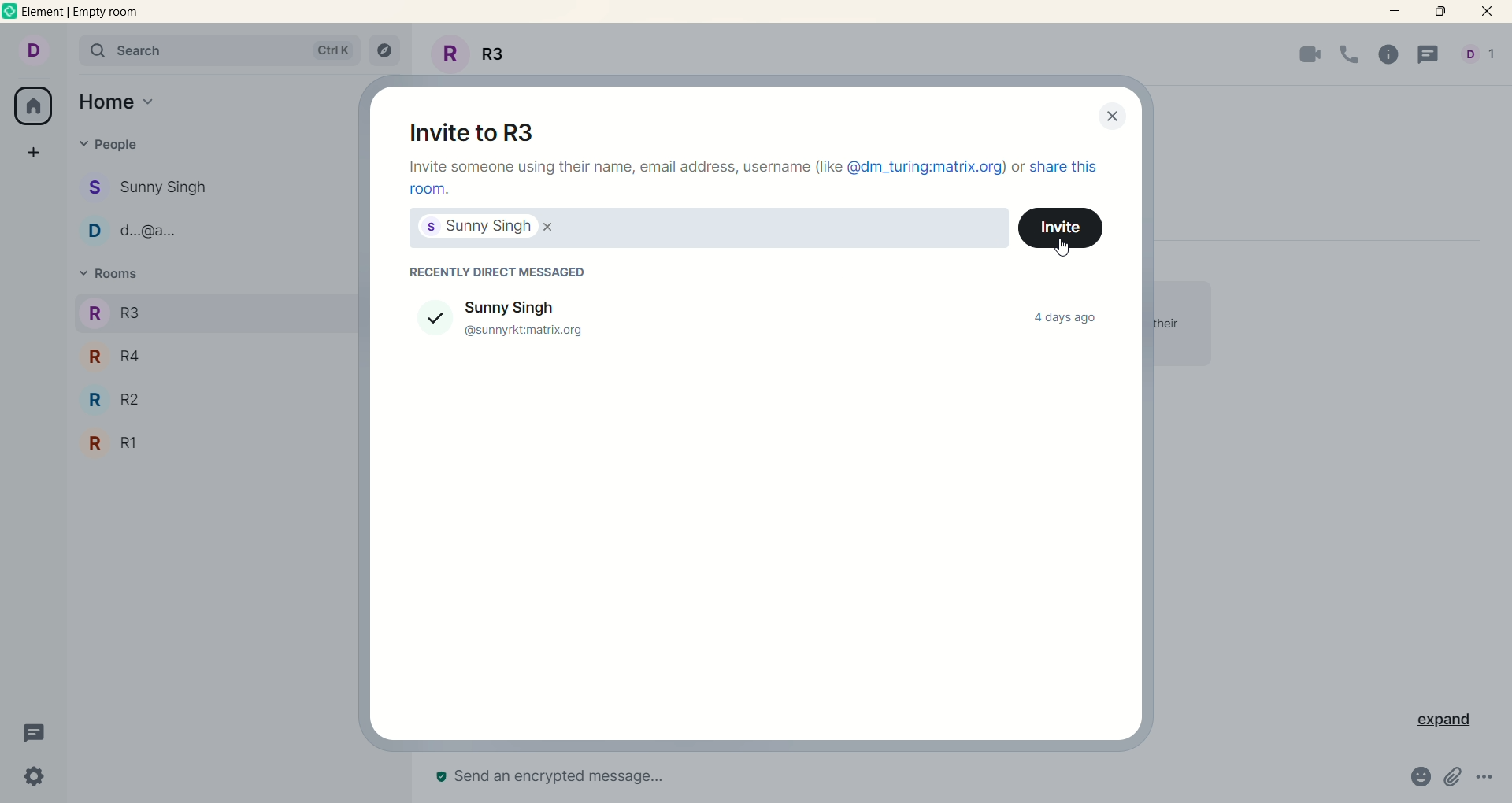  What do you see at coordinates (474, 228) in the screenshot?
I see `Sunny Singh` at bounding box center [474, 228].